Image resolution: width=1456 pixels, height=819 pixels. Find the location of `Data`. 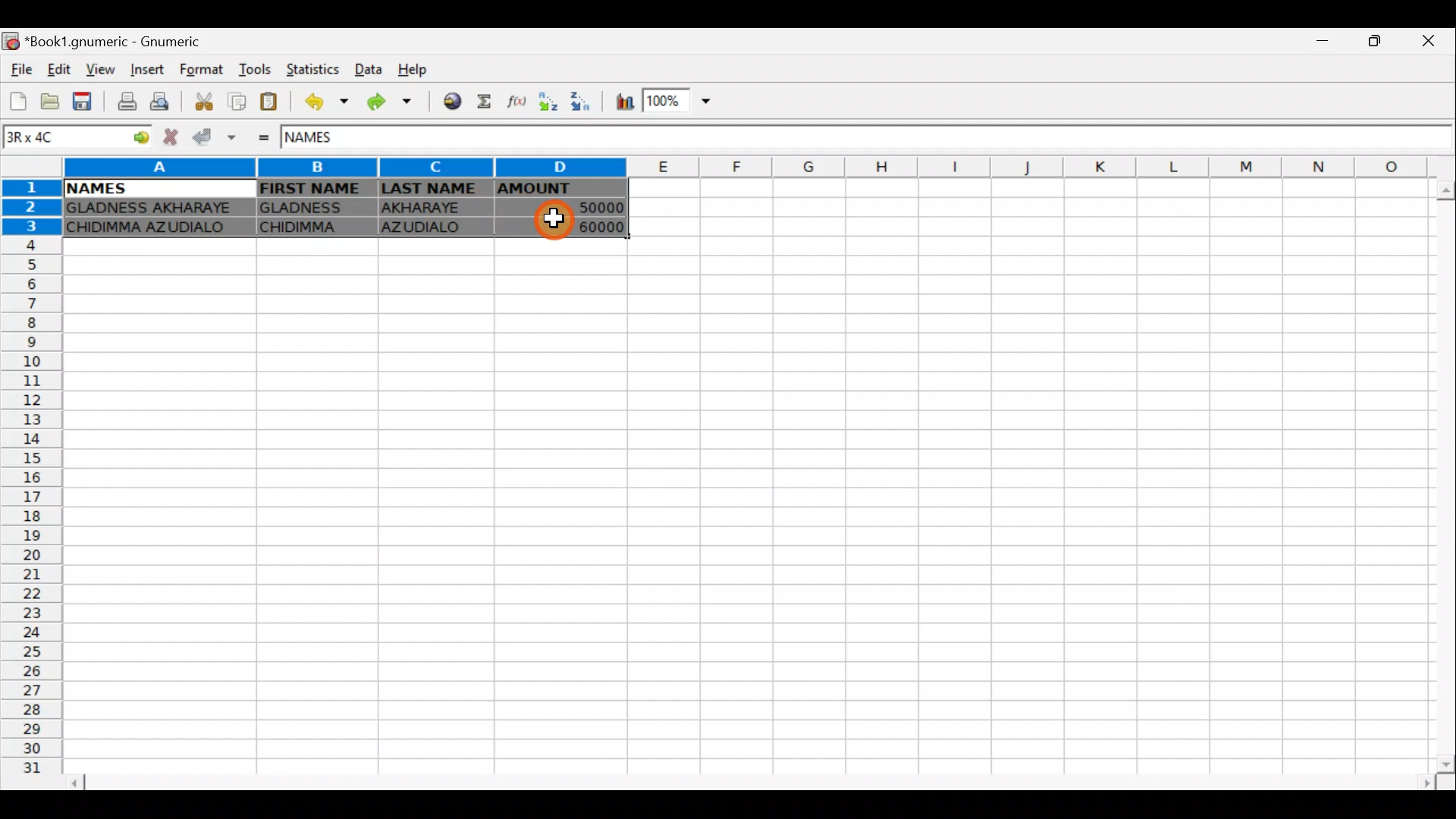

Data is located at coordinates (366, 67).